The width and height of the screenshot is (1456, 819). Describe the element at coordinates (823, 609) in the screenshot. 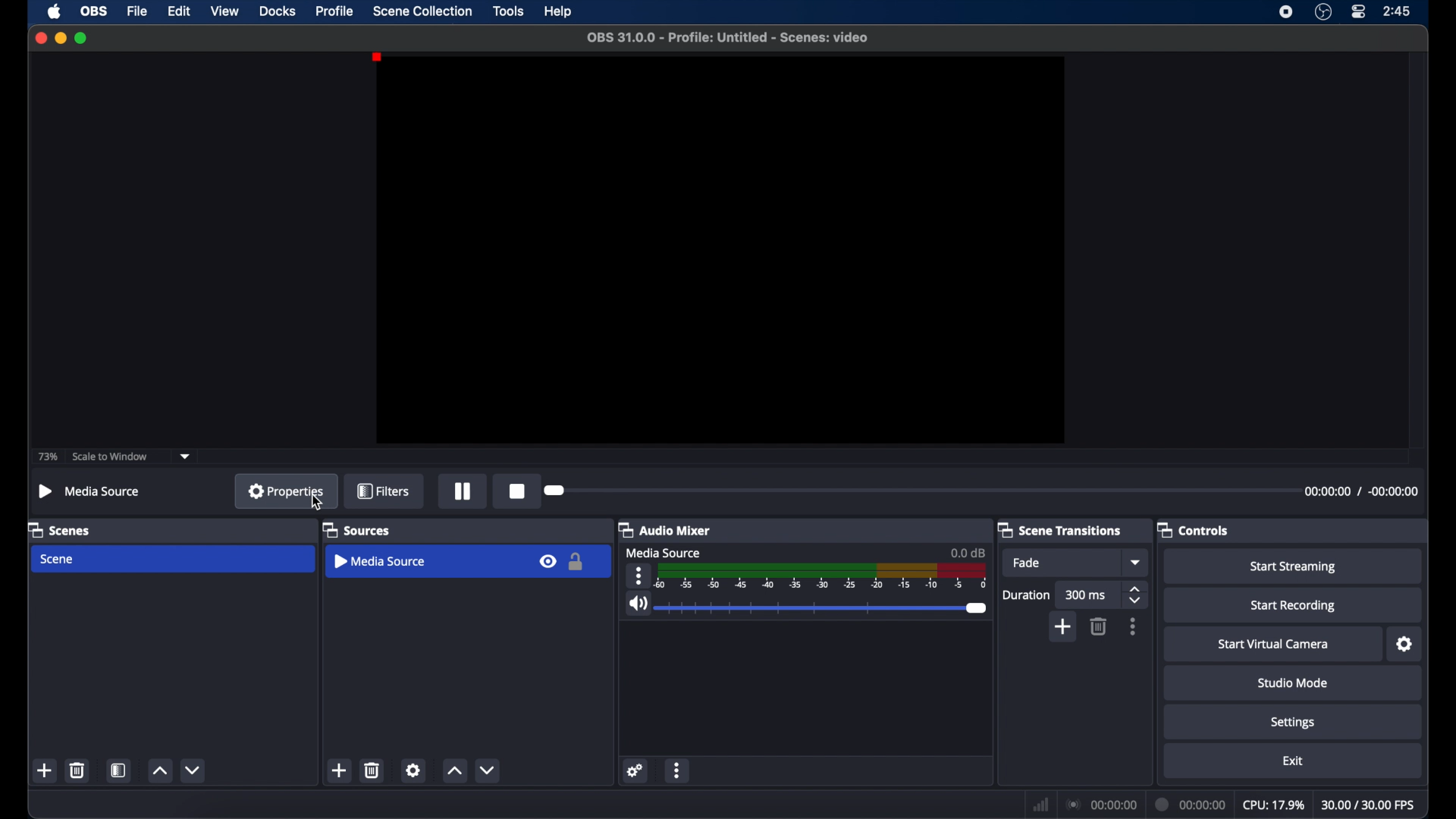

I see `slider` at that location.